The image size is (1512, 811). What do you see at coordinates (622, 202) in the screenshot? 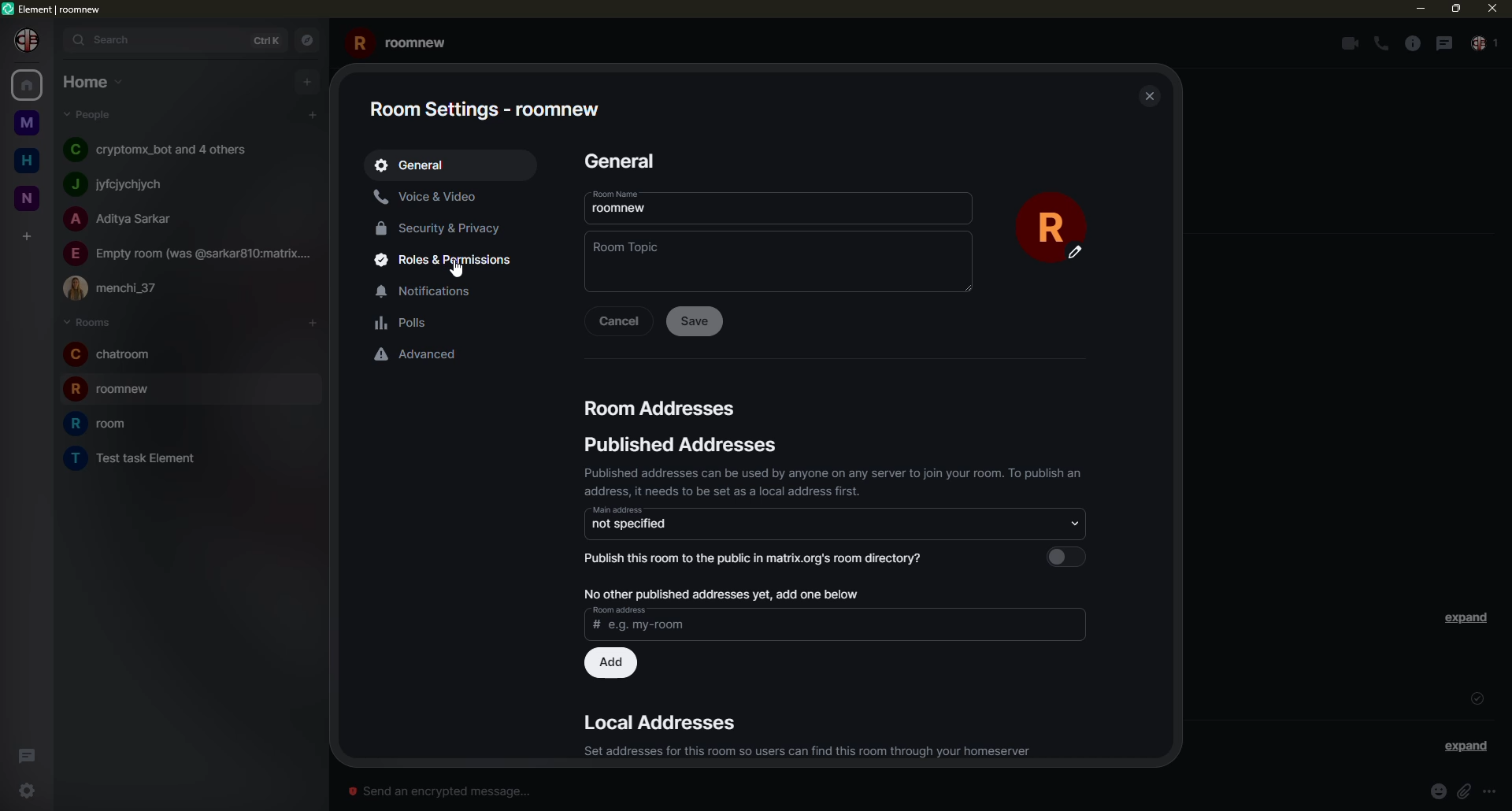
I see `room name` at bounding box center [622, 202].